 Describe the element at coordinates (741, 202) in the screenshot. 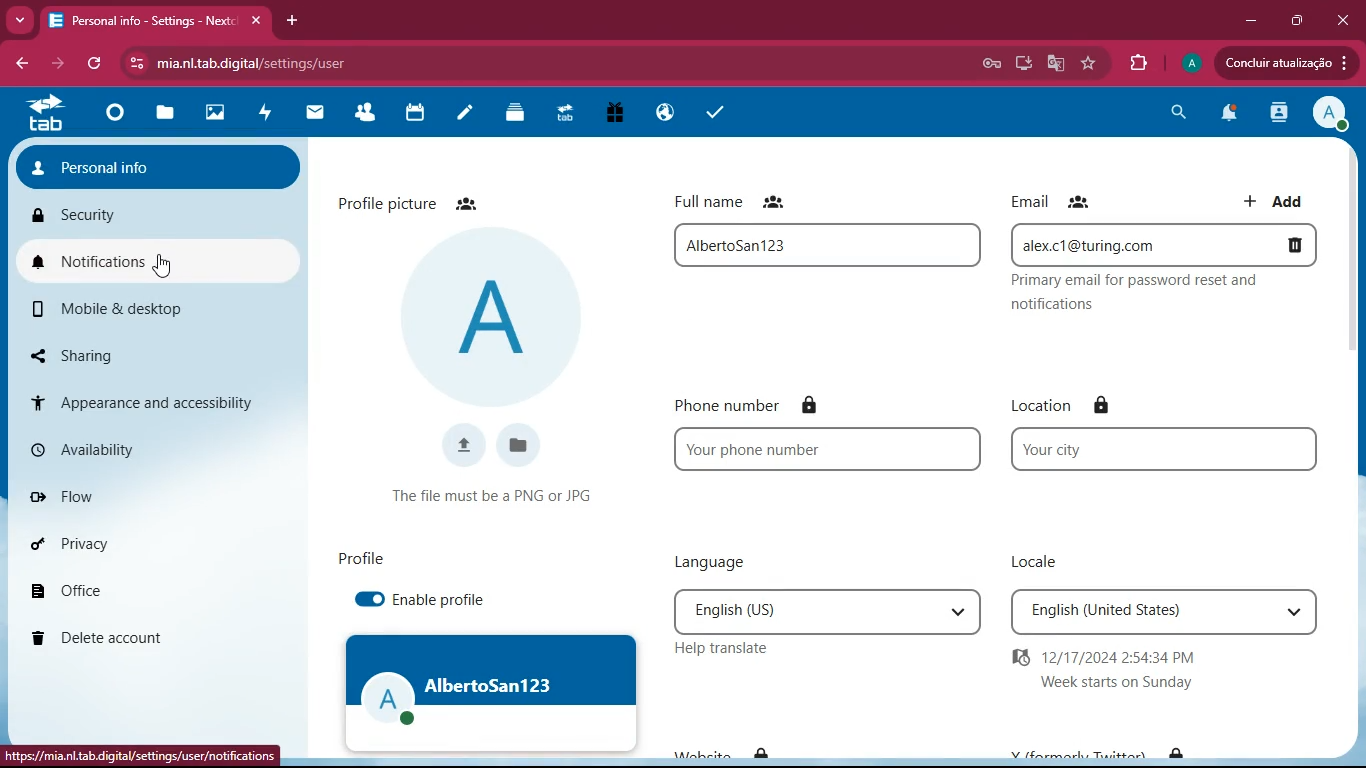

I see `full name` at that location.